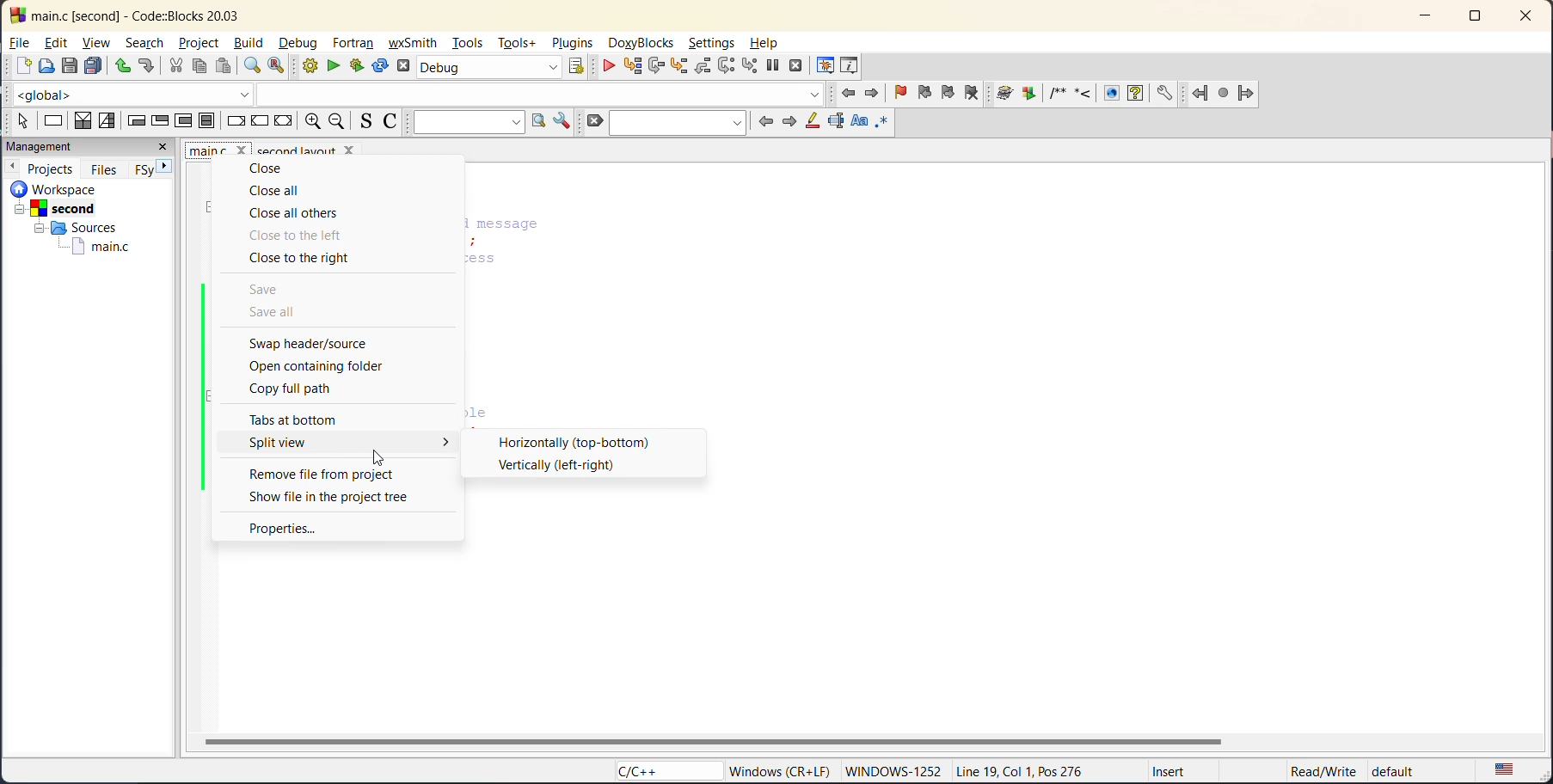 Image resolution: width=1553 pixels, height=784 pixels. I want to click on files, so click(104, 168).